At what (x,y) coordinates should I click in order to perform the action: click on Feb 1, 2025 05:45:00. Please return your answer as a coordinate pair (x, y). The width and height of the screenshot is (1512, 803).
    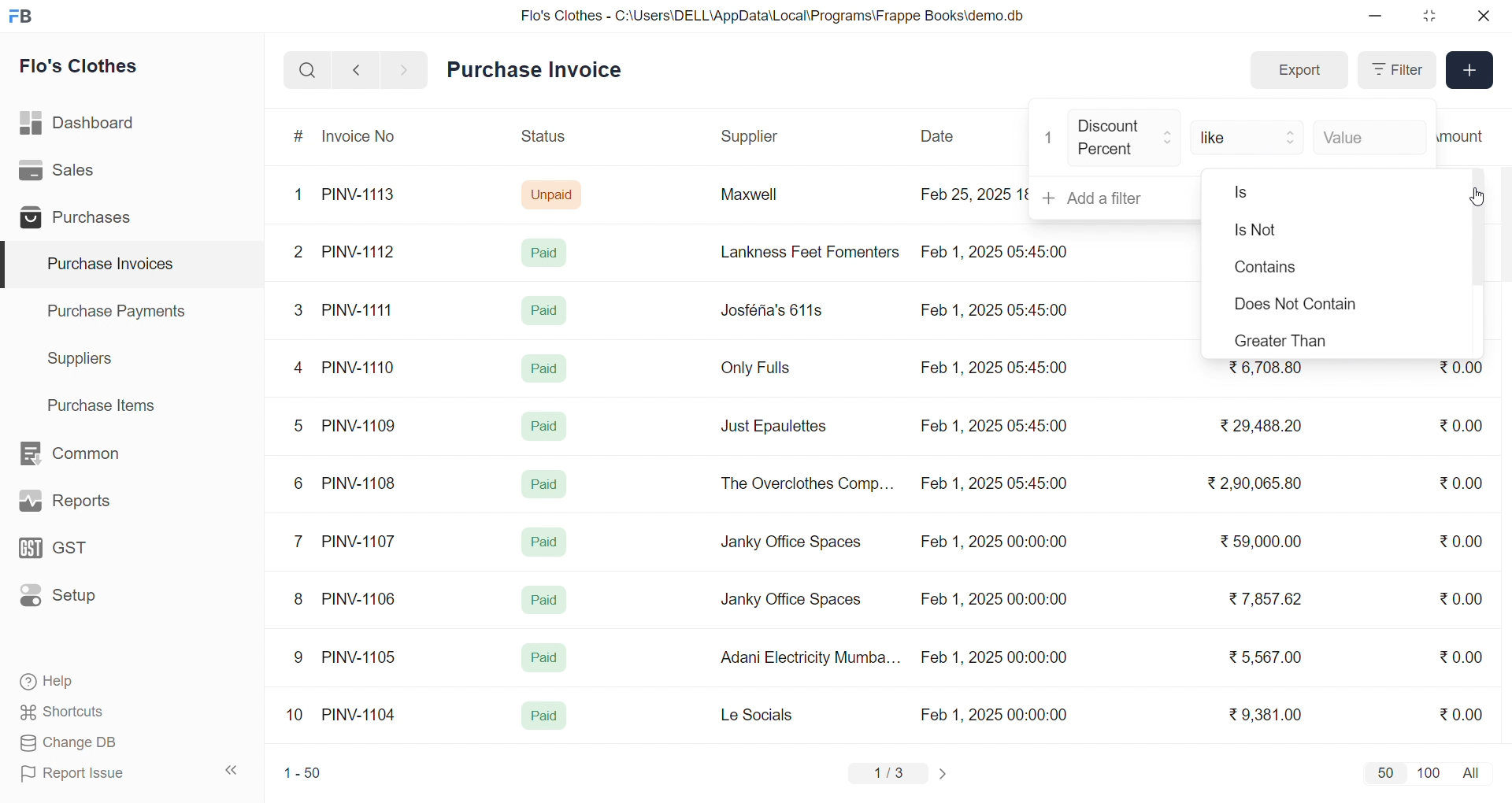
    Looking at the image, I should click on (996, 368).